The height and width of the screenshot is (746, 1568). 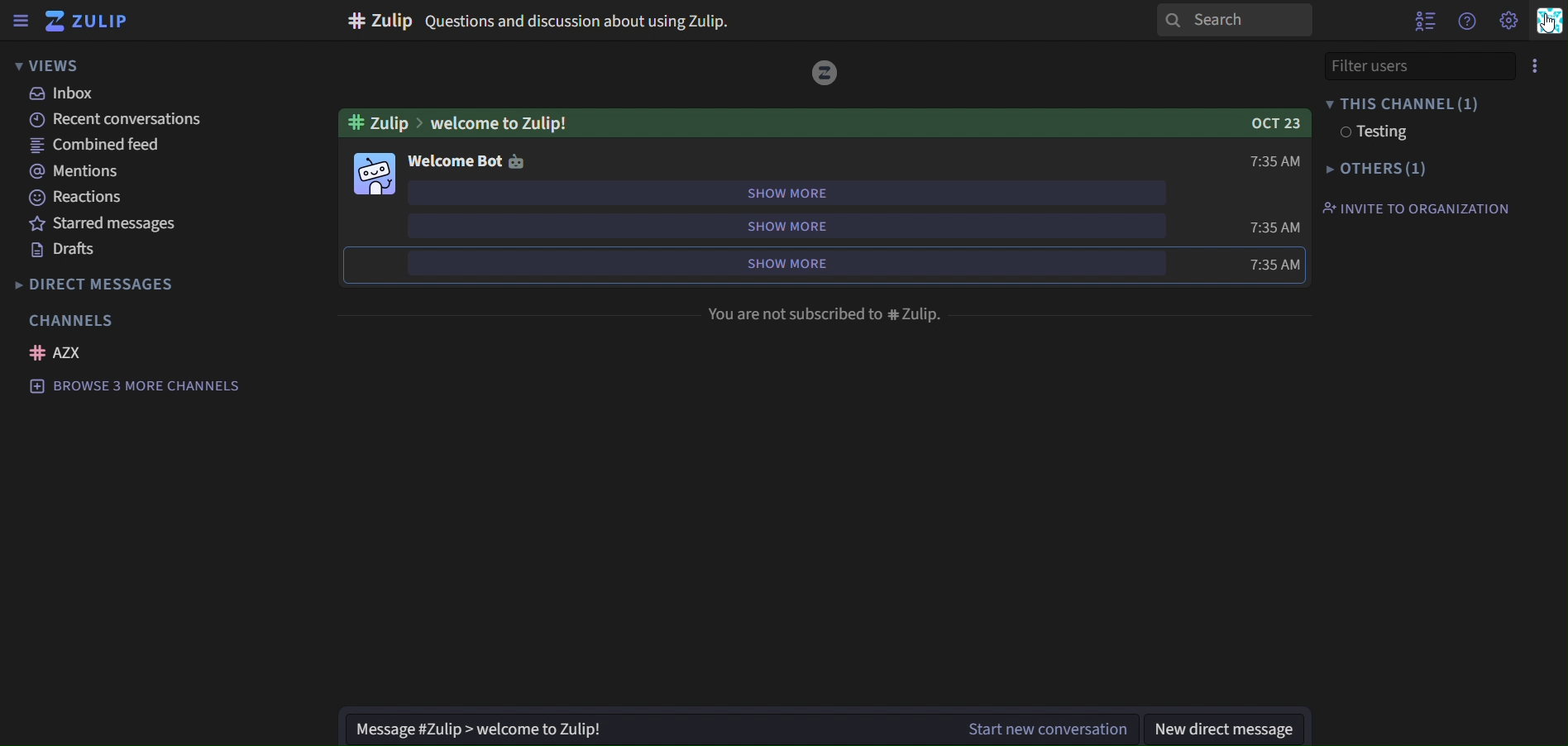 What do you see at coordinates (1467, 22) in the screenshot?
I see `get help` at bounding box center [1467, 22].